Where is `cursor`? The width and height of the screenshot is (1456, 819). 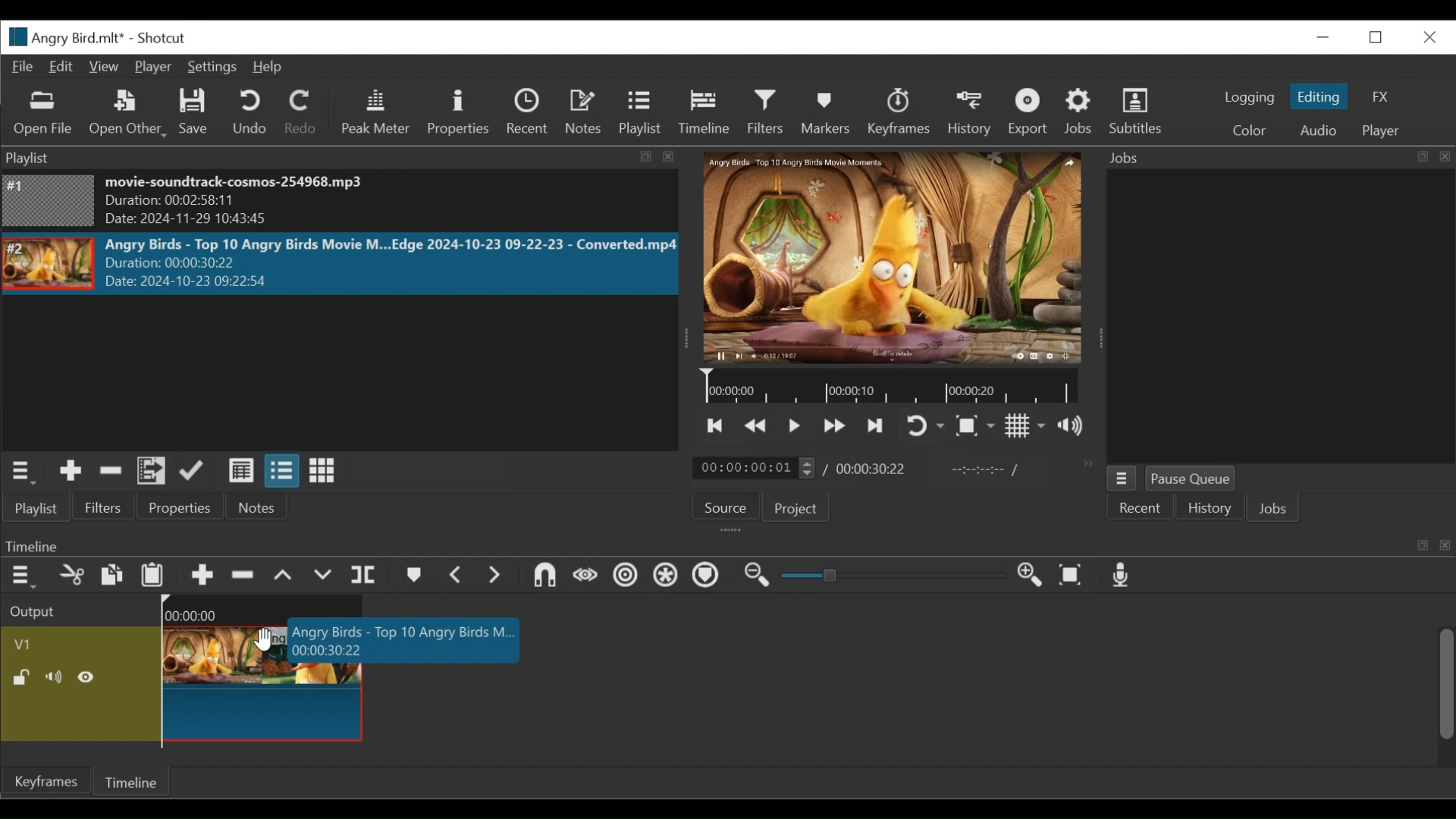
cursor is located at coordinates (262, 640).